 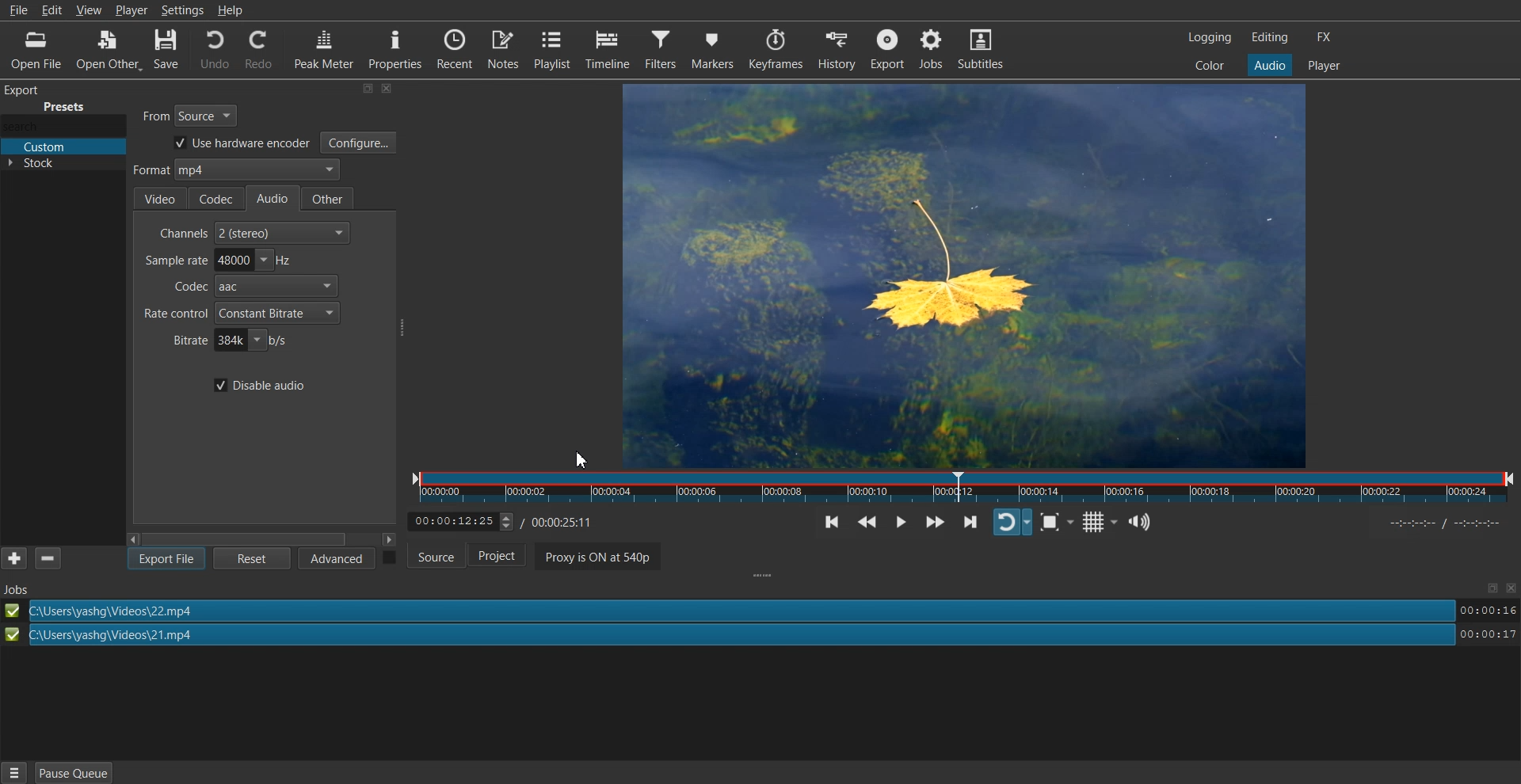 I want to click on add, so click(x=13, y=560).